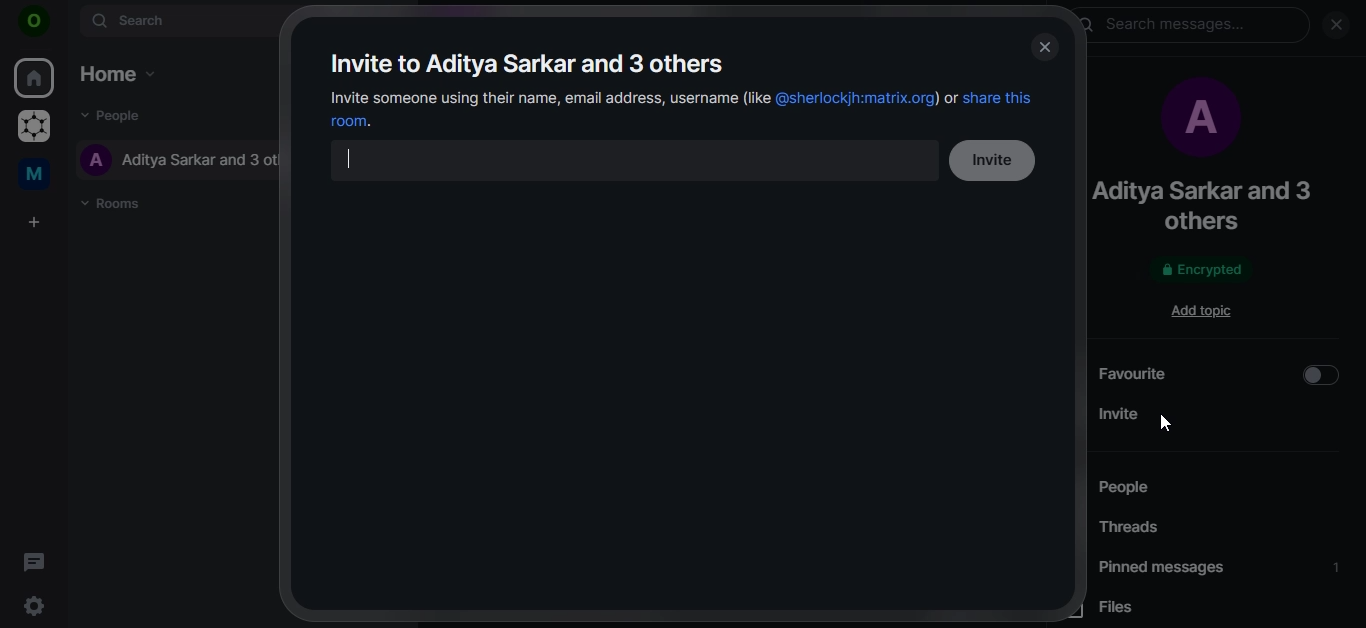  Describe the element at coordinates (32, 223) in the screenshot. I see `create a space` at that location.